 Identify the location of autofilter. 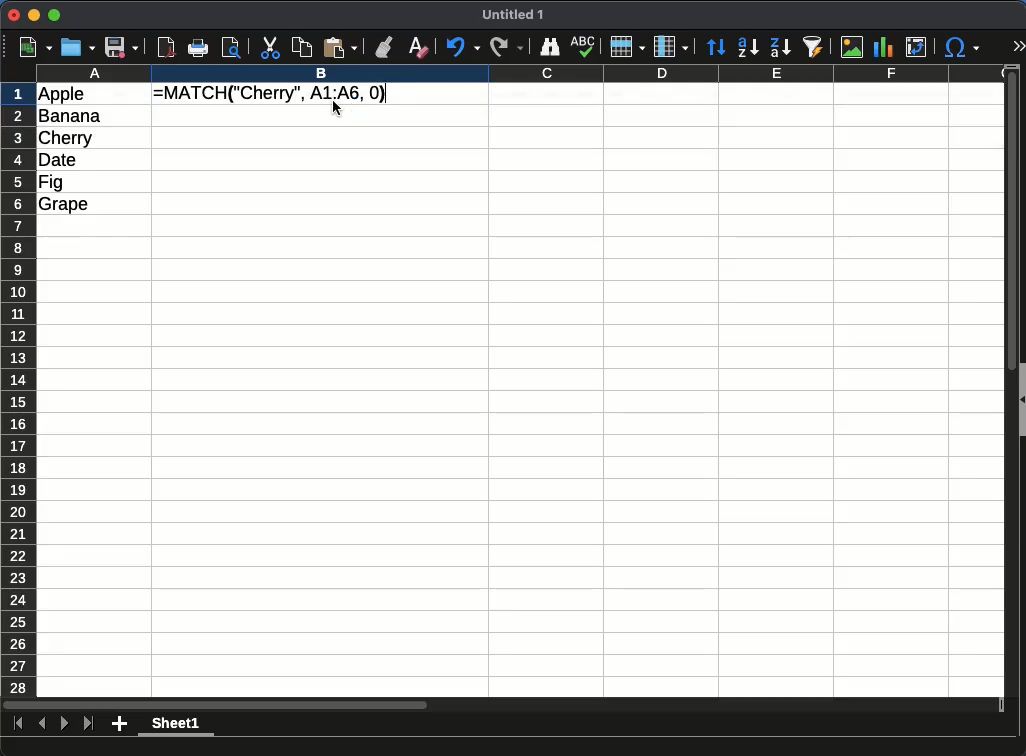
(813, 47).